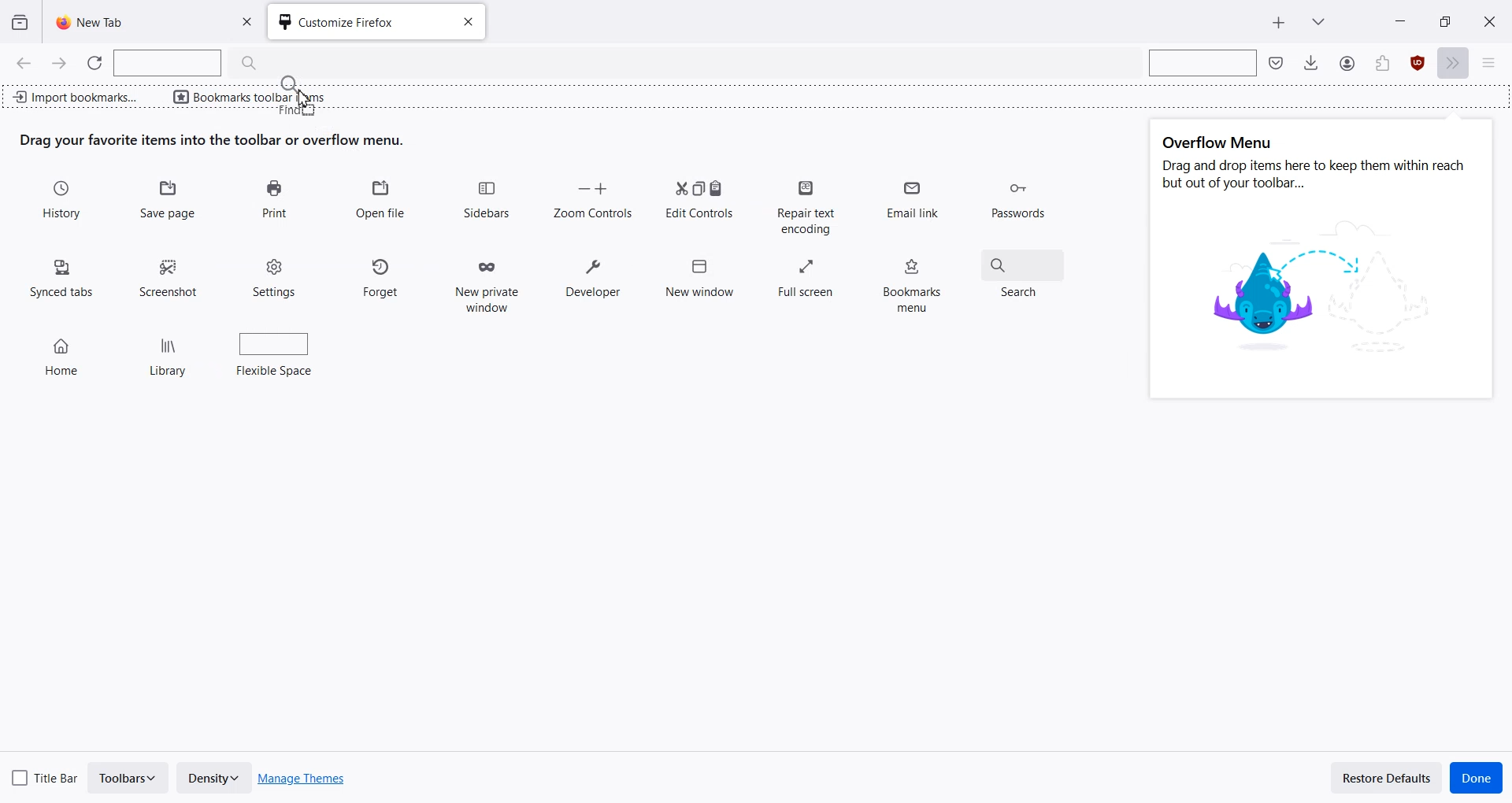 This screenshot has width=1512, height=803. What do you see at coordinates (382, 275) in the screenshot?
I see `Forget` at bounding box center [382, 275].